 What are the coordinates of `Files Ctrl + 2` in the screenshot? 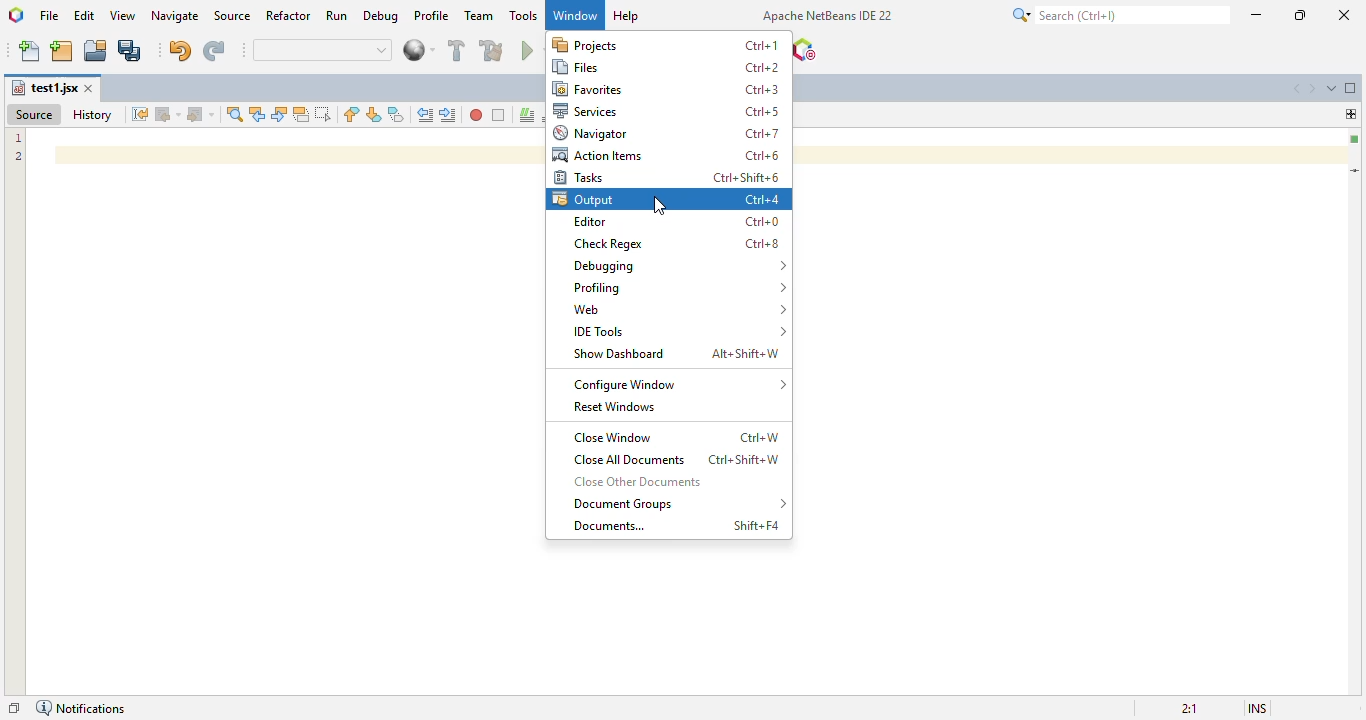 It's located at (666, 68).